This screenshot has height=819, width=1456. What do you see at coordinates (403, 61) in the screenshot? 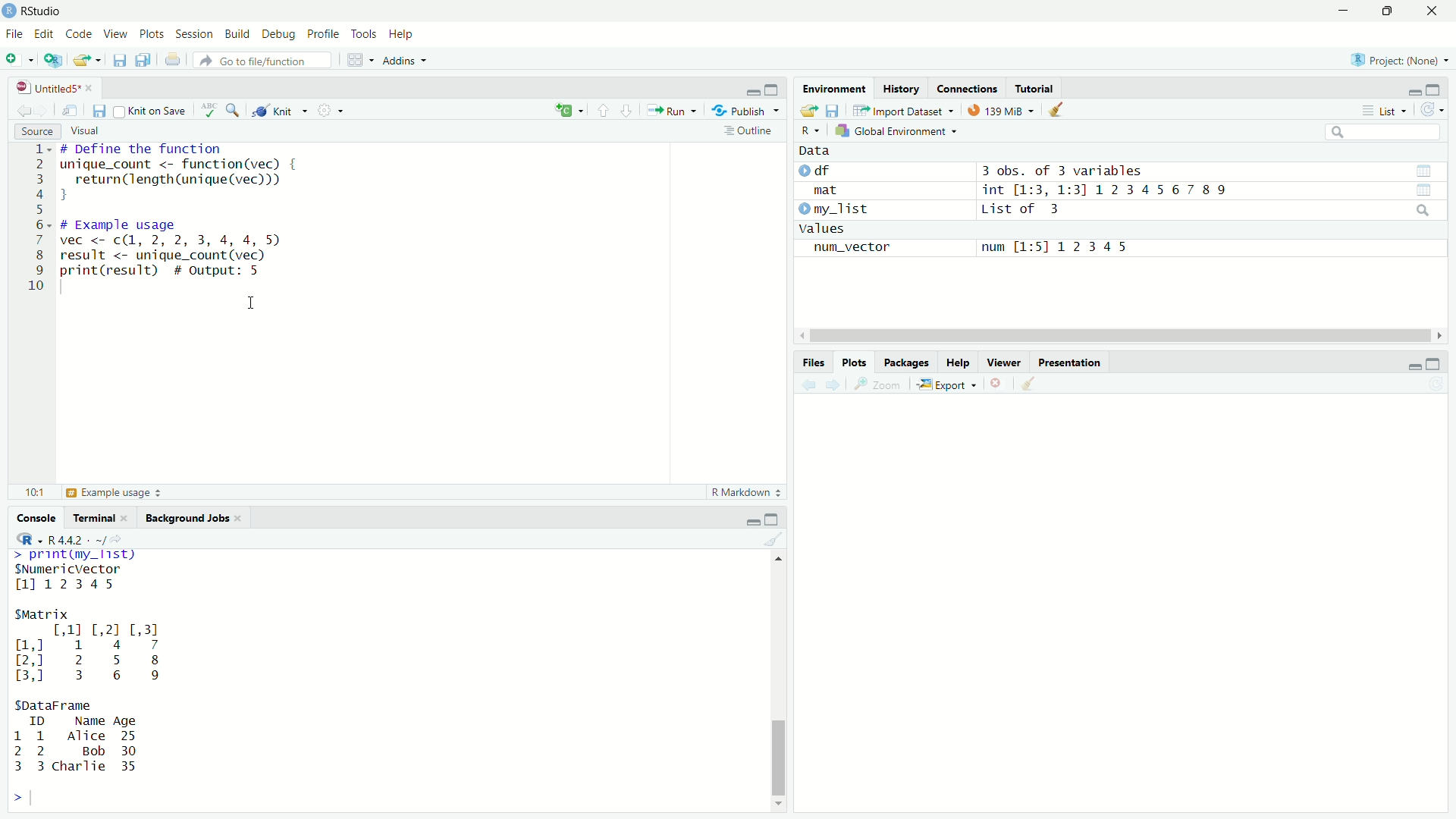
I see `Addins` at bounding box center [403, 61].